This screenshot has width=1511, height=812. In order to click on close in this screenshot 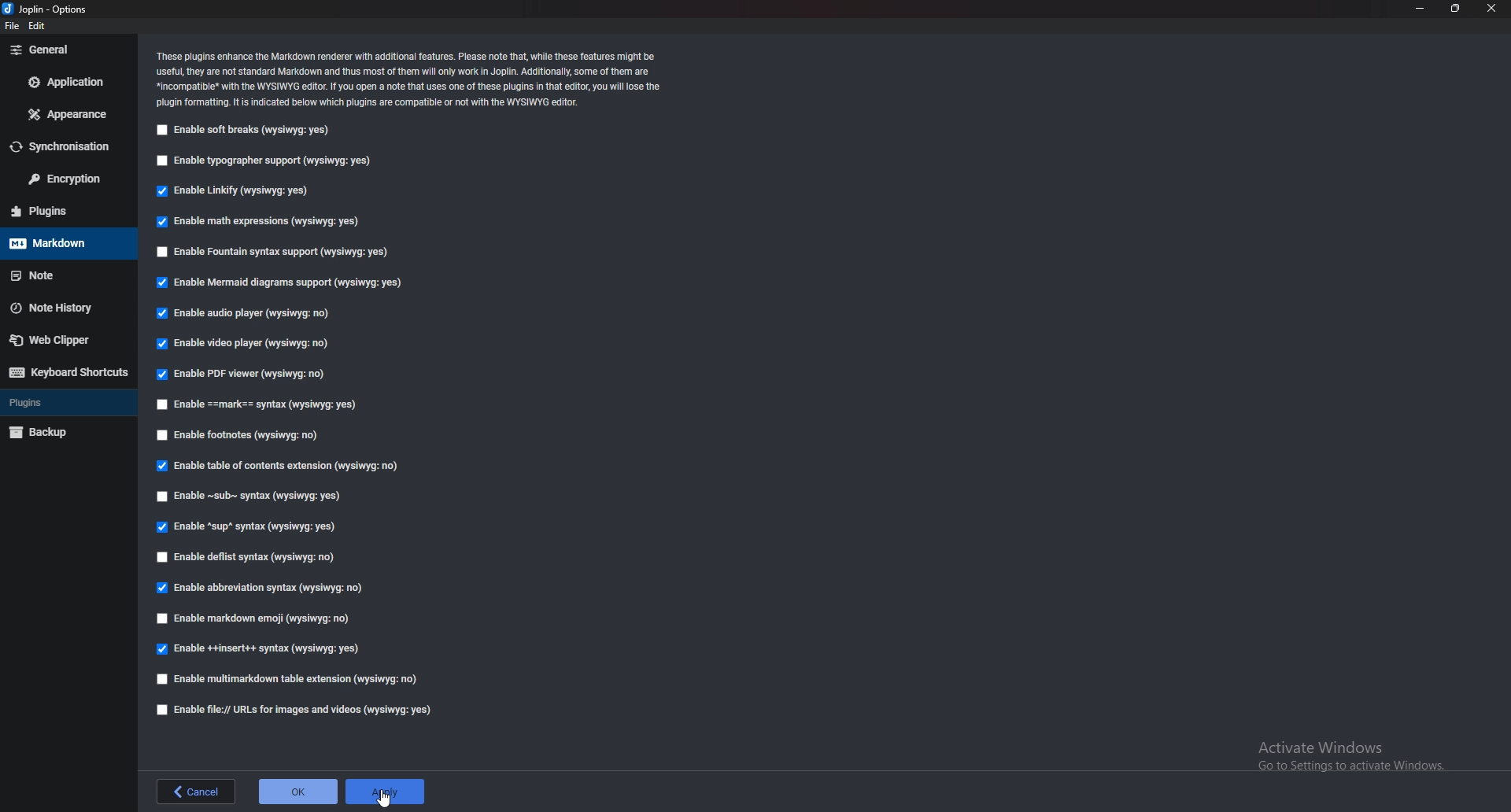, I will do `click(1494, 8)`.